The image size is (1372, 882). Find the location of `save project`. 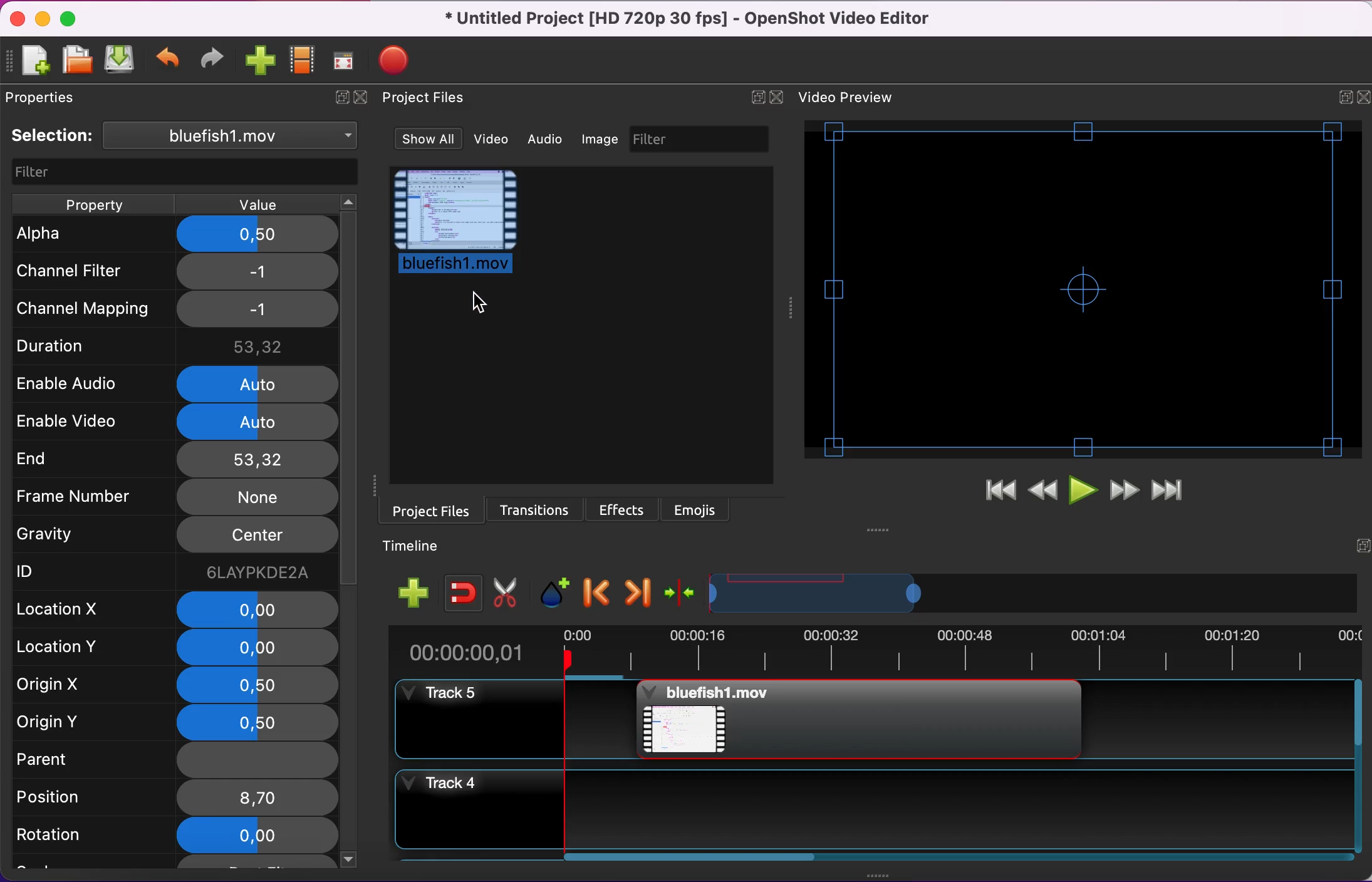

save project is located at coordinates (122, 60).